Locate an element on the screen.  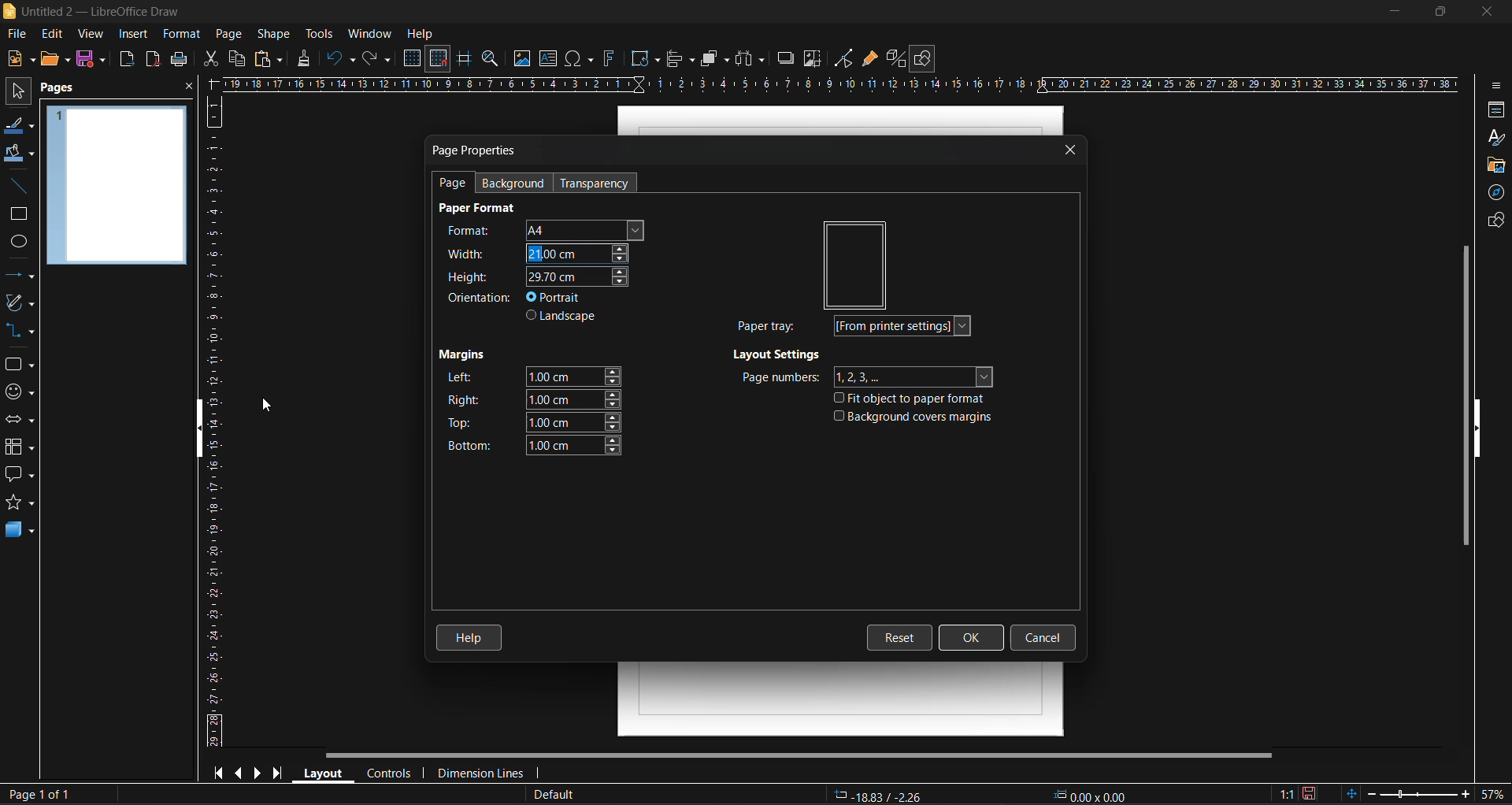
zoom out is located at coordinates (1371, 793).